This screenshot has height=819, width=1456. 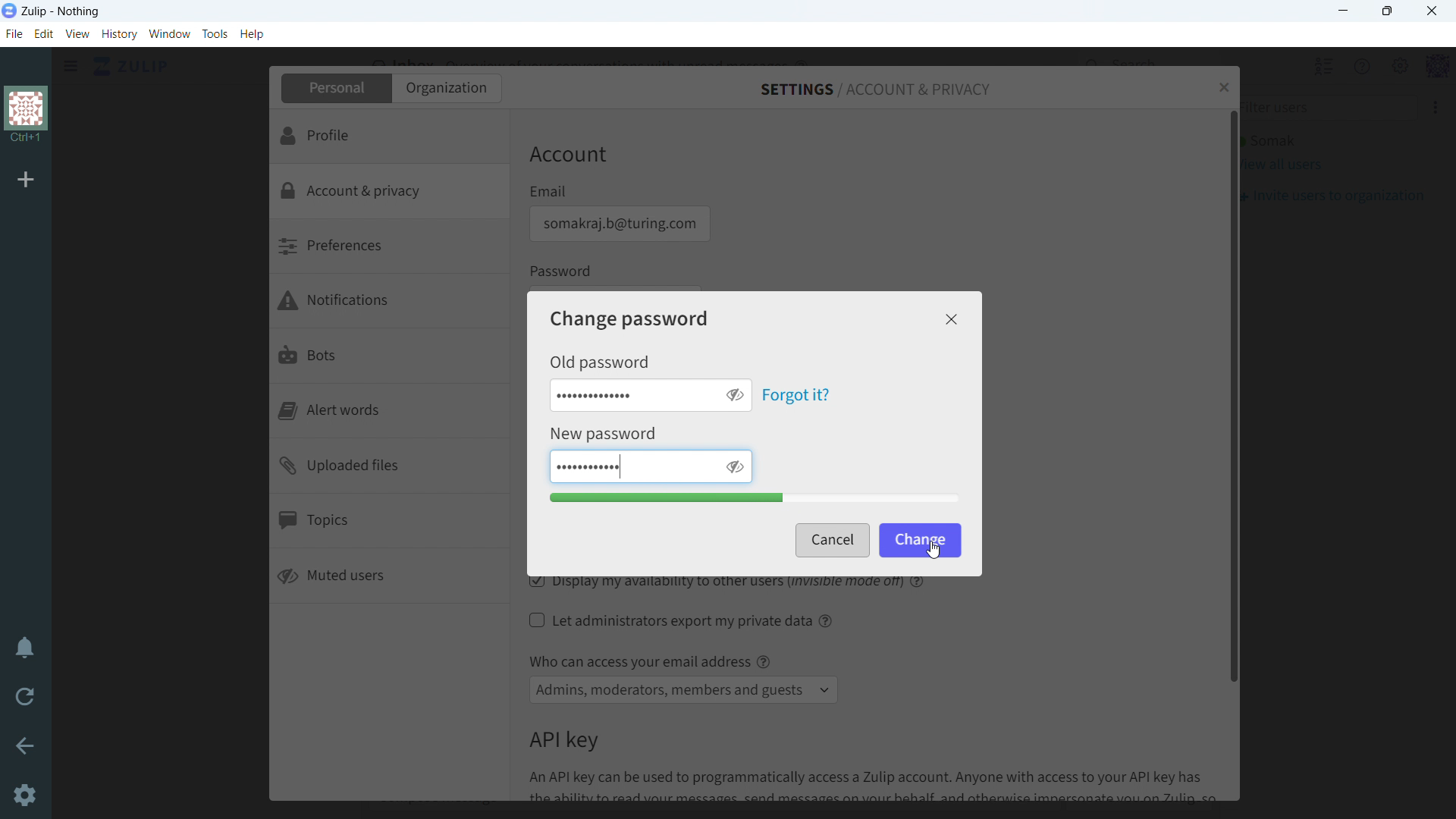 I want to click on Password quaity, so click(x=755, y=499).